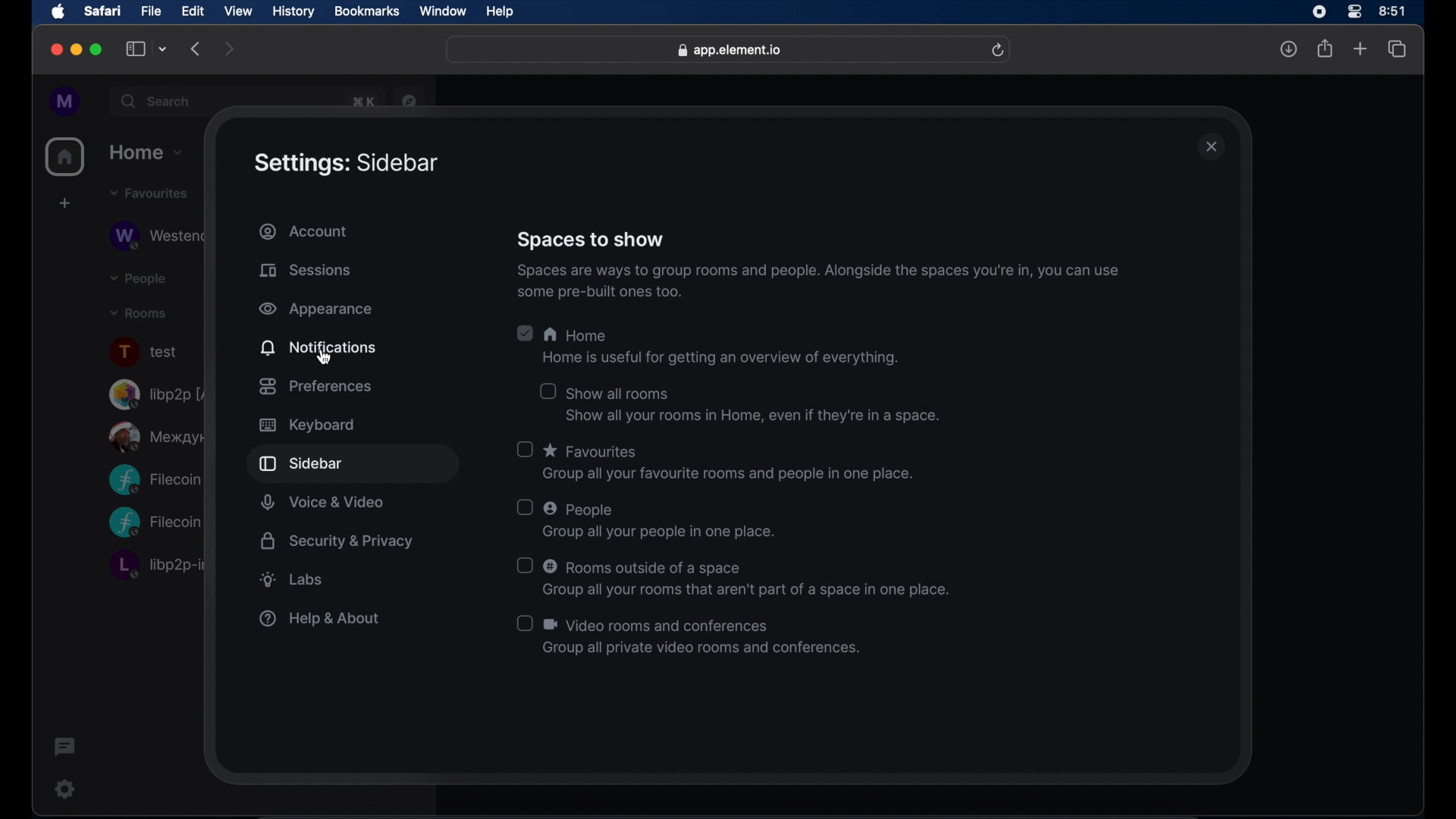 The image size is (1456, 819). What do you see at coordinates (1326, 52) in the screenshot?
I see `share` at bounding box center [1326, 52].